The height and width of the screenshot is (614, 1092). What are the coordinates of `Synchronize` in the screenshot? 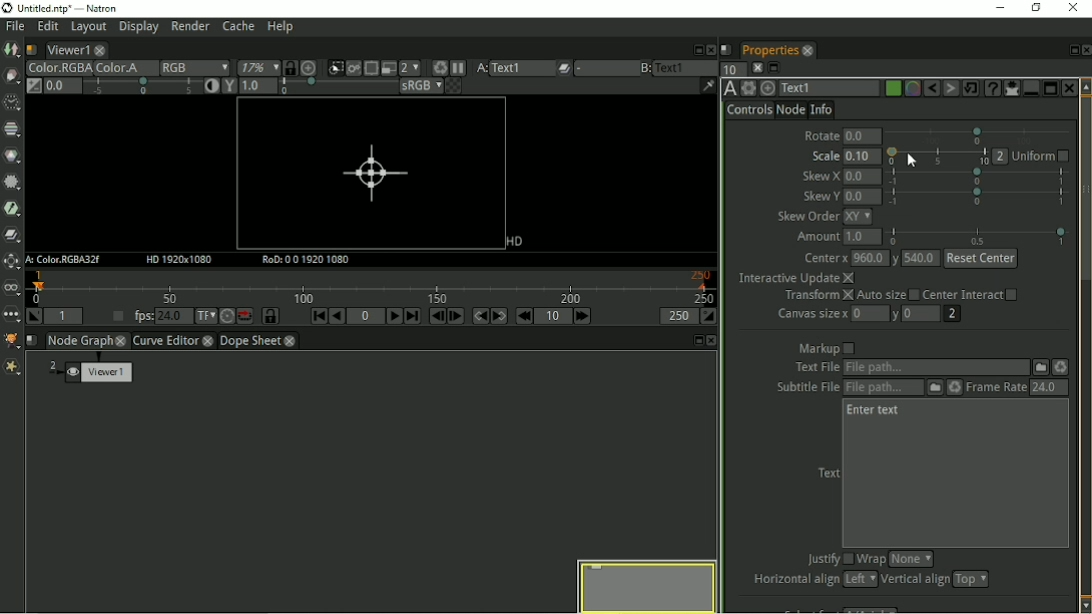 It's located at (289, 67).